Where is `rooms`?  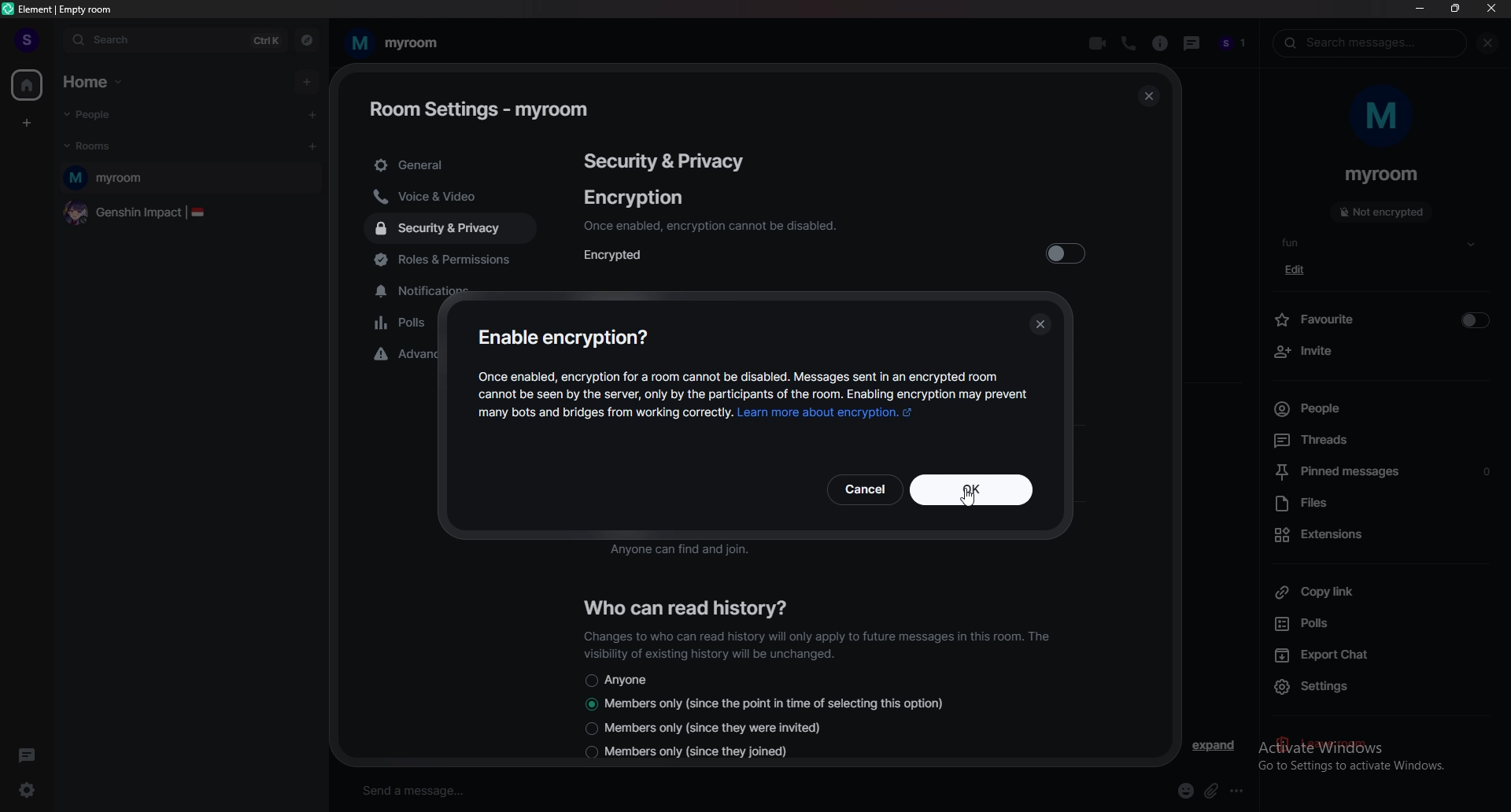 rooms is located at coordinates (106, 147).